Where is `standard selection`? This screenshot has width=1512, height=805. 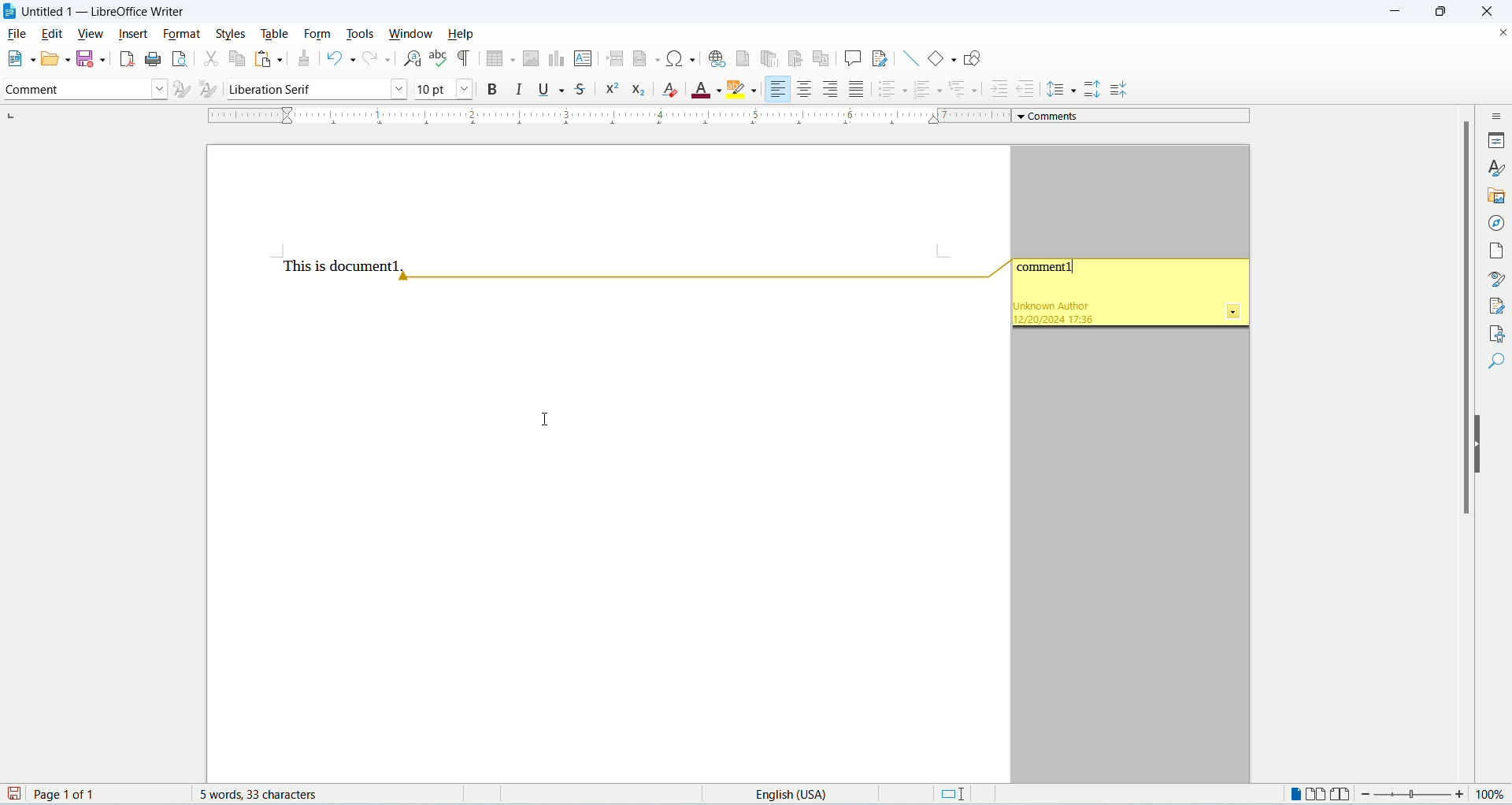 standard selection is located at coordinates (957, 793).